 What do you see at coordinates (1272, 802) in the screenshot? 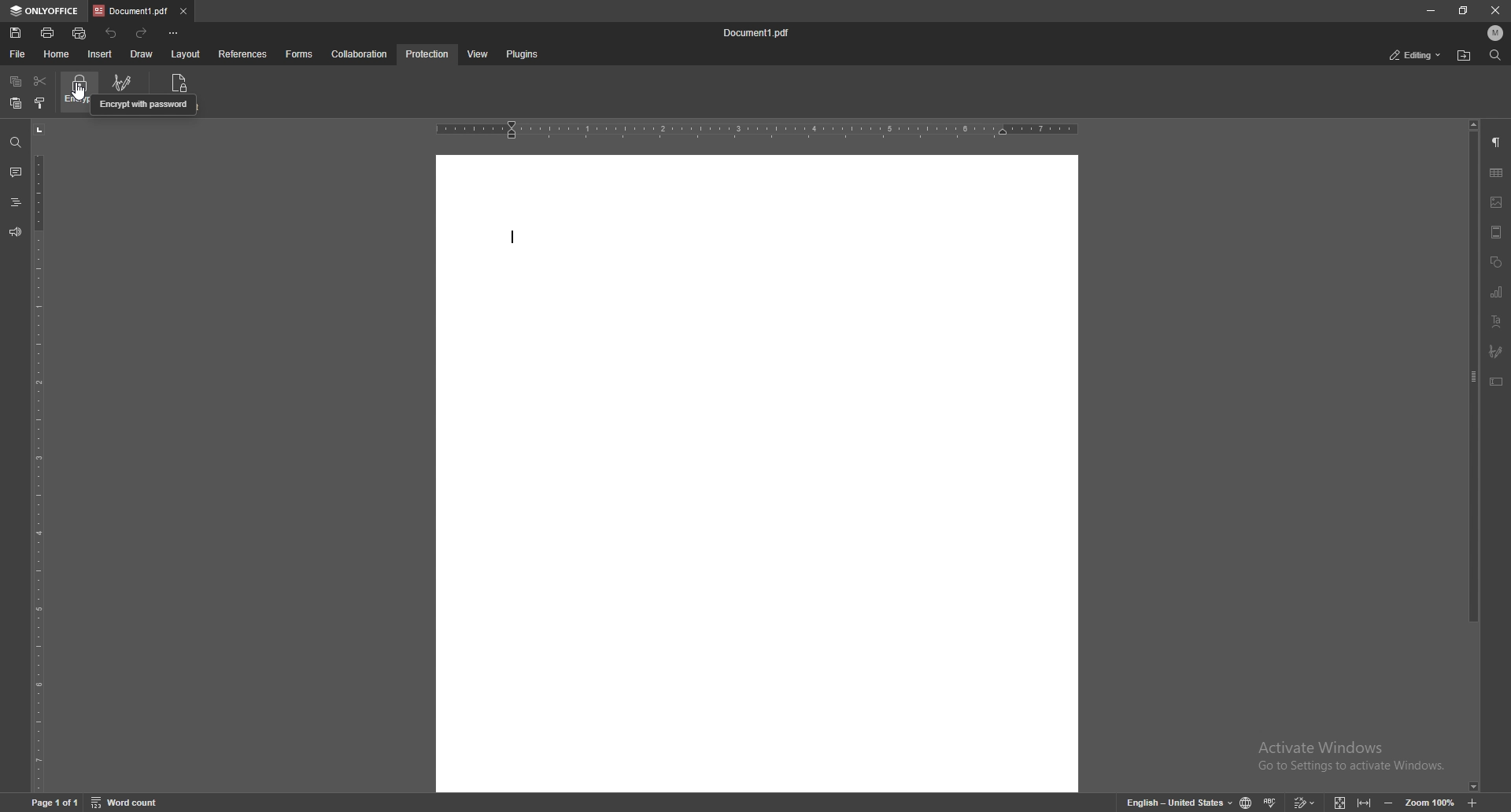
I see `spell check` at bounding box center [1272, 802].